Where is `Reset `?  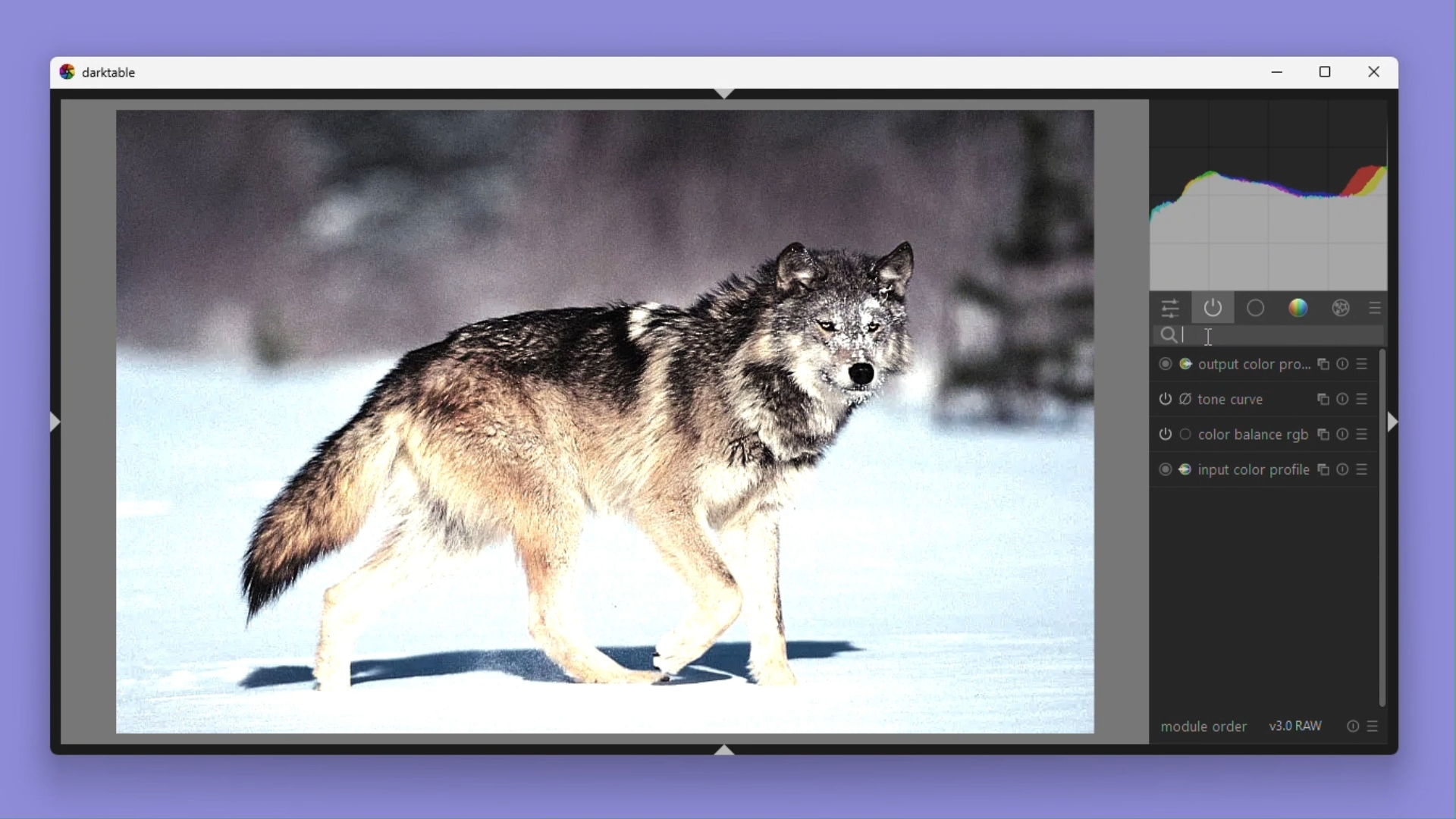 Reset  is located at coordinates (1343, 363).